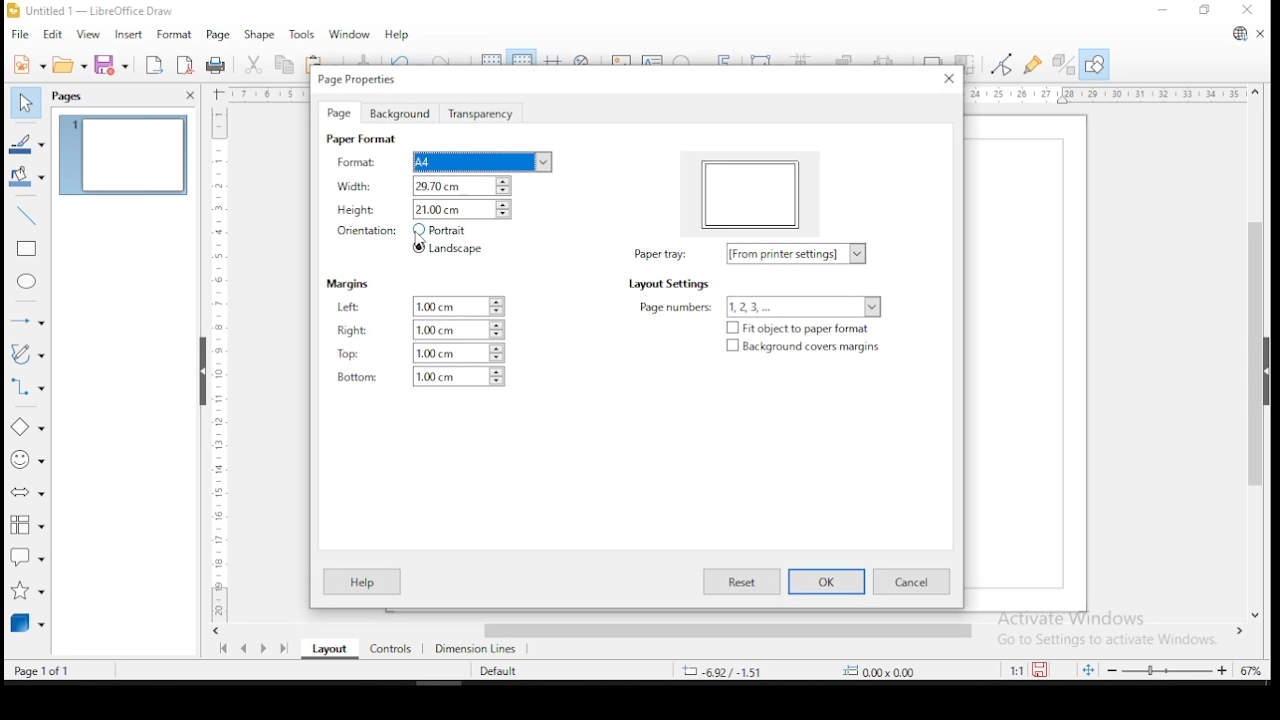 Image resolution: width=1280 pixels, height=720 pixels. What do you see at coordinates (438, 210) in the screenshot?
I see `height` at bounding box center [438, 210].